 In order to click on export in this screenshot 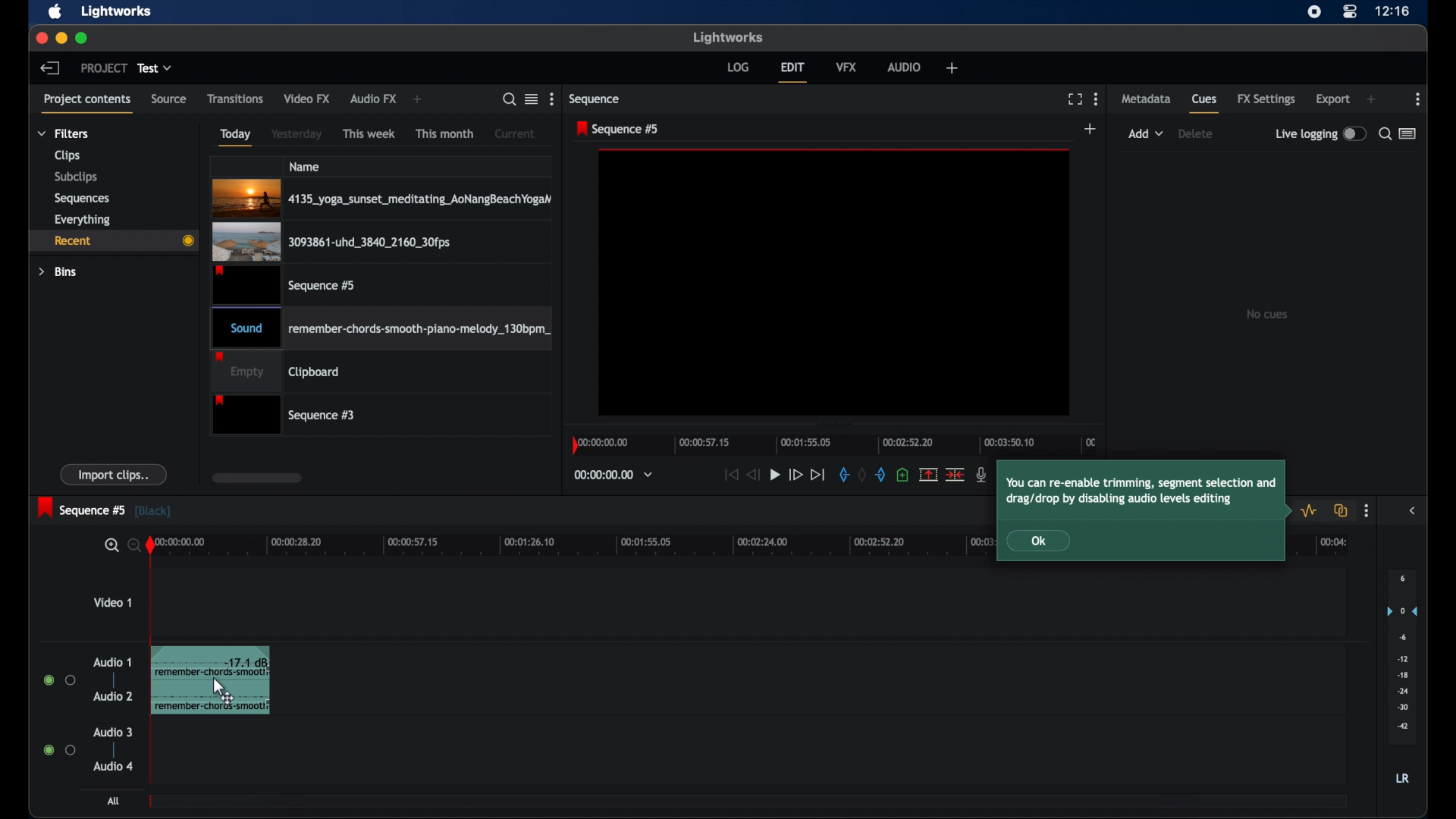, I will do `click(1333, 99)`.